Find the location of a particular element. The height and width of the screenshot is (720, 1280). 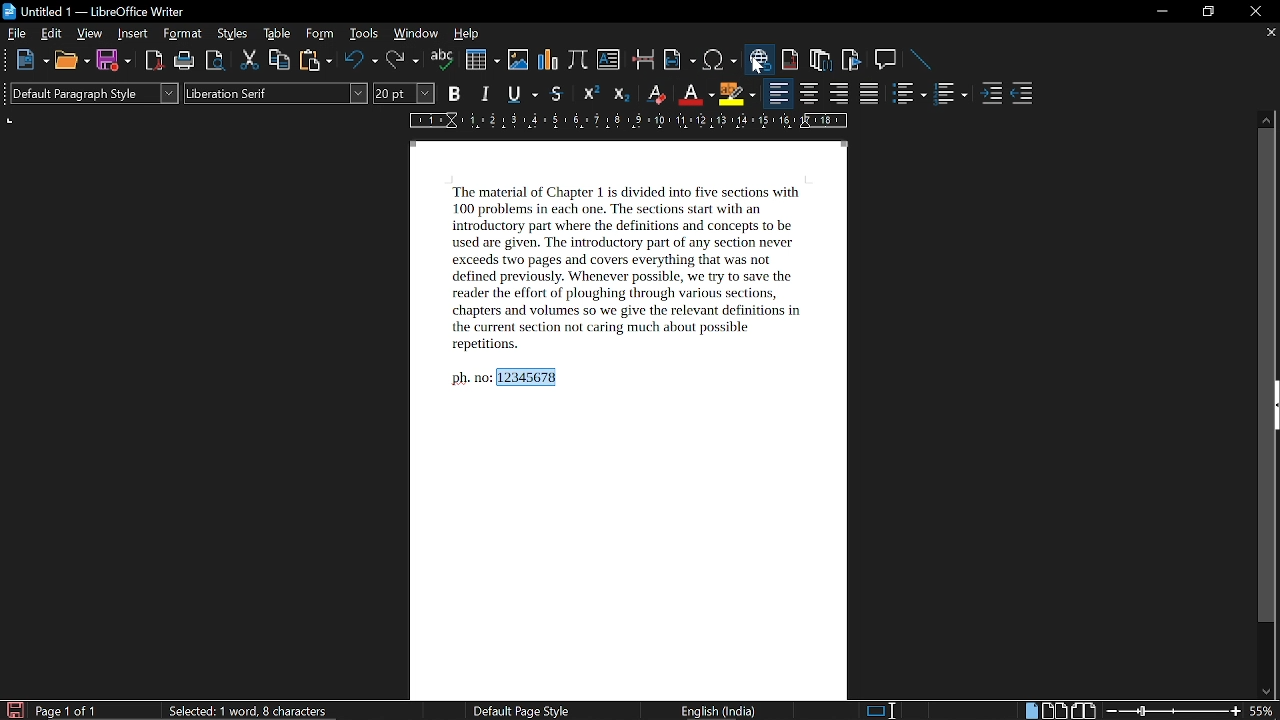

italic is located at coordinates (486, 94).